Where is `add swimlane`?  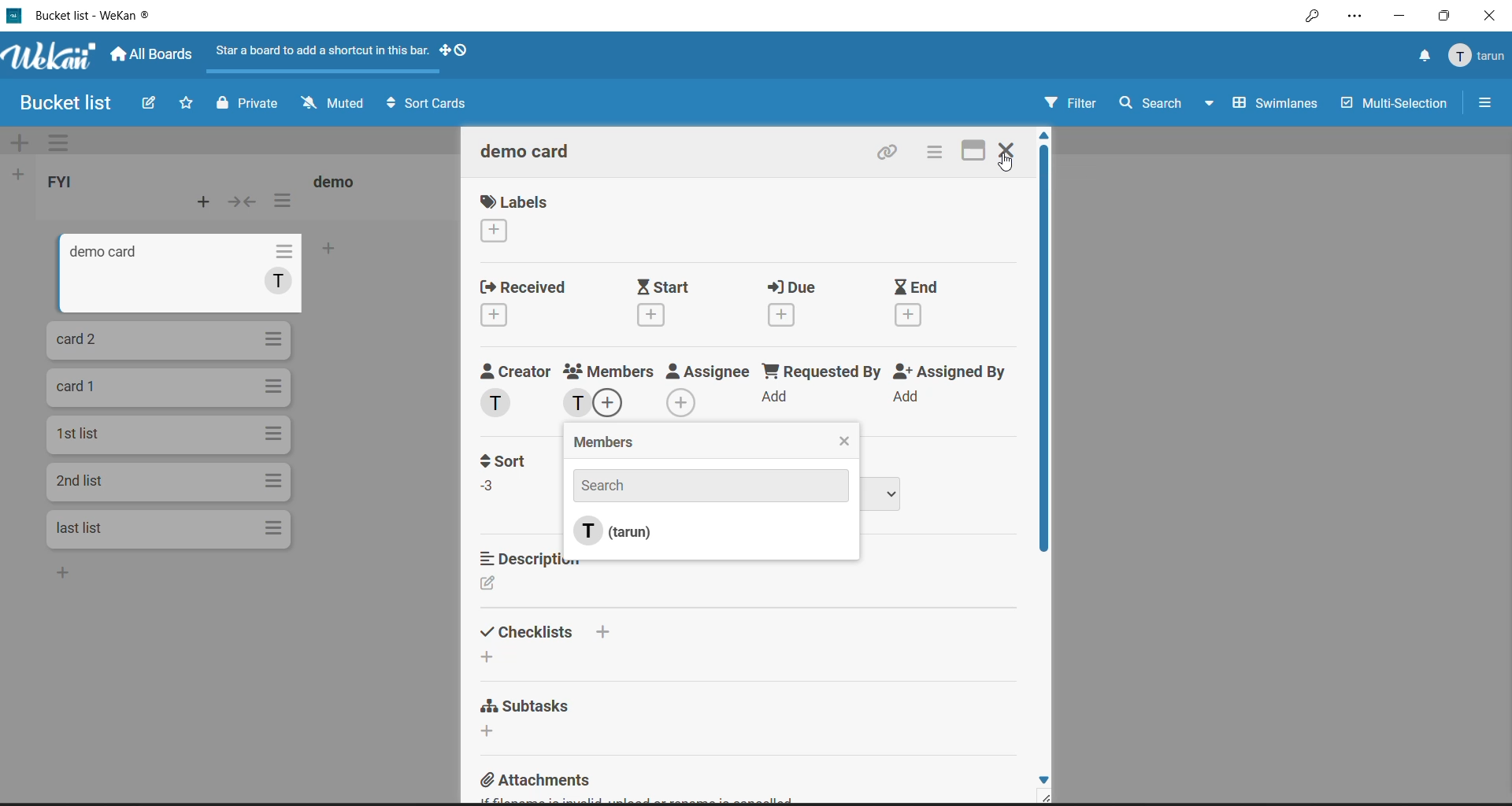
add swimlane is located at coordinates (22, 141).